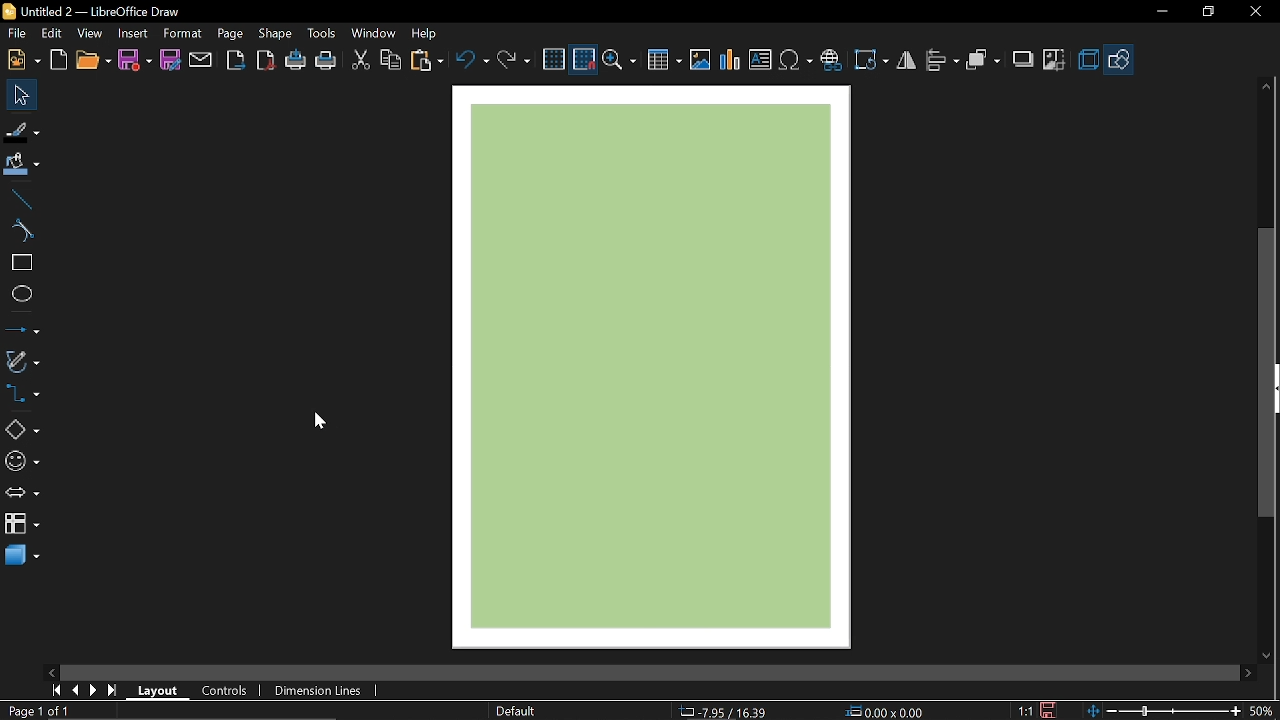 The image size is (1280, 720). Describe the element at coordinates (230, 35) in the screenshot. I see `Page` at that location.